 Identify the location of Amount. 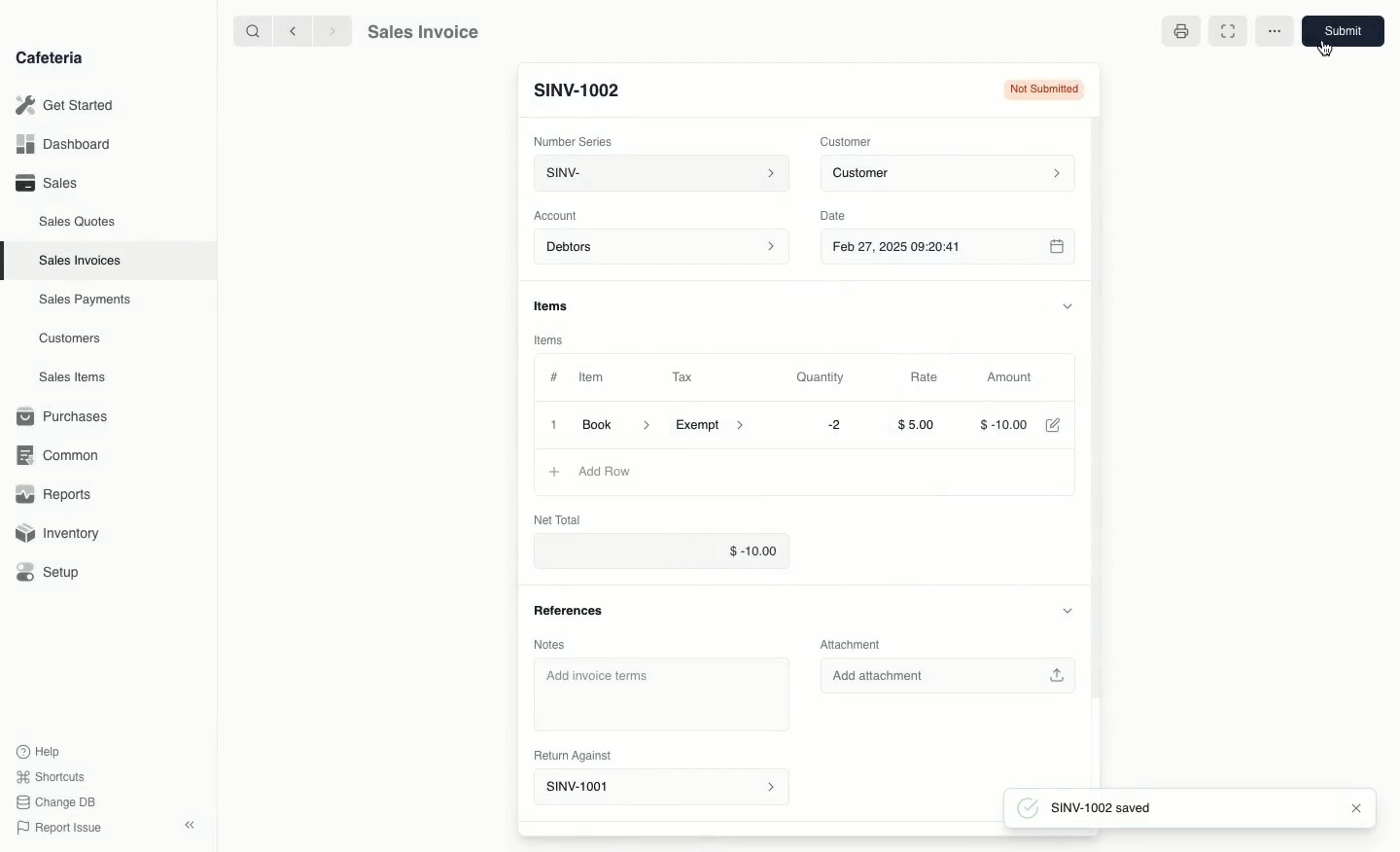
(1019, 377).